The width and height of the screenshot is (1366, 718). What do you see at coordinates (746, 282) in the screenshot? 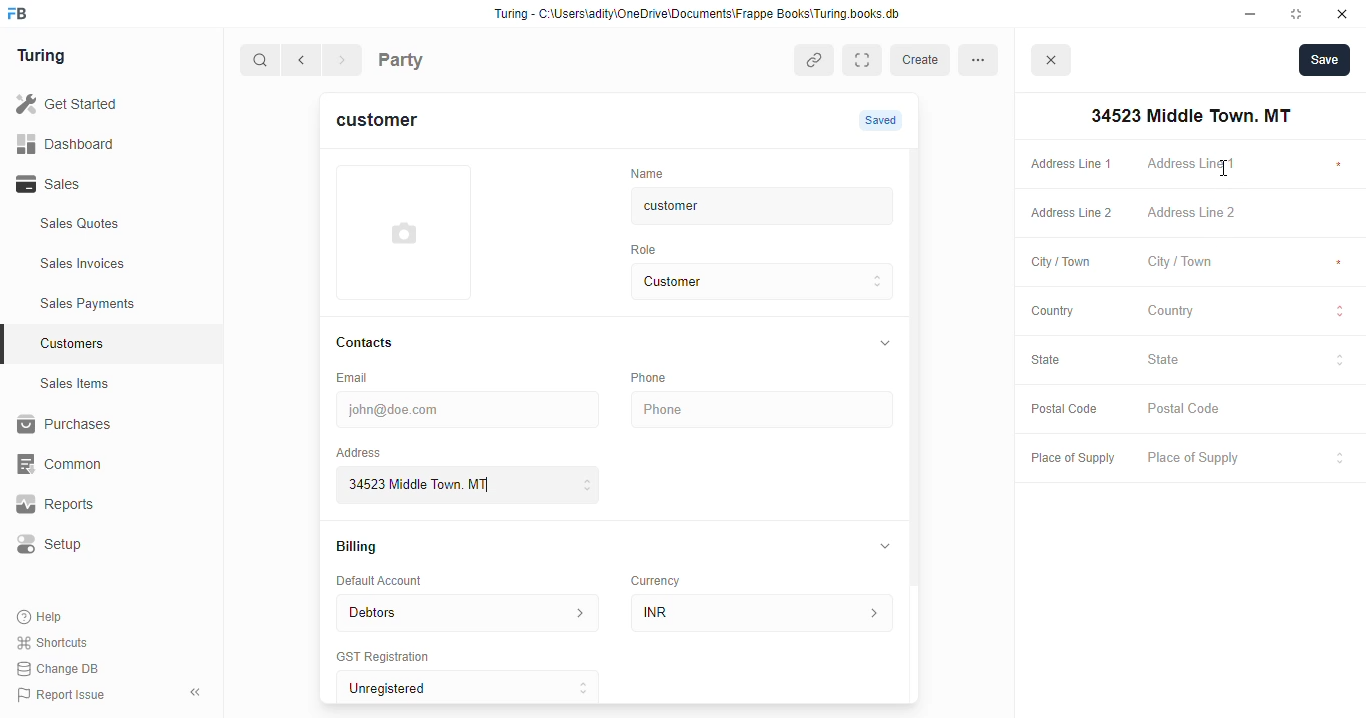
I see `Customer` at bounding box center [746, 282].